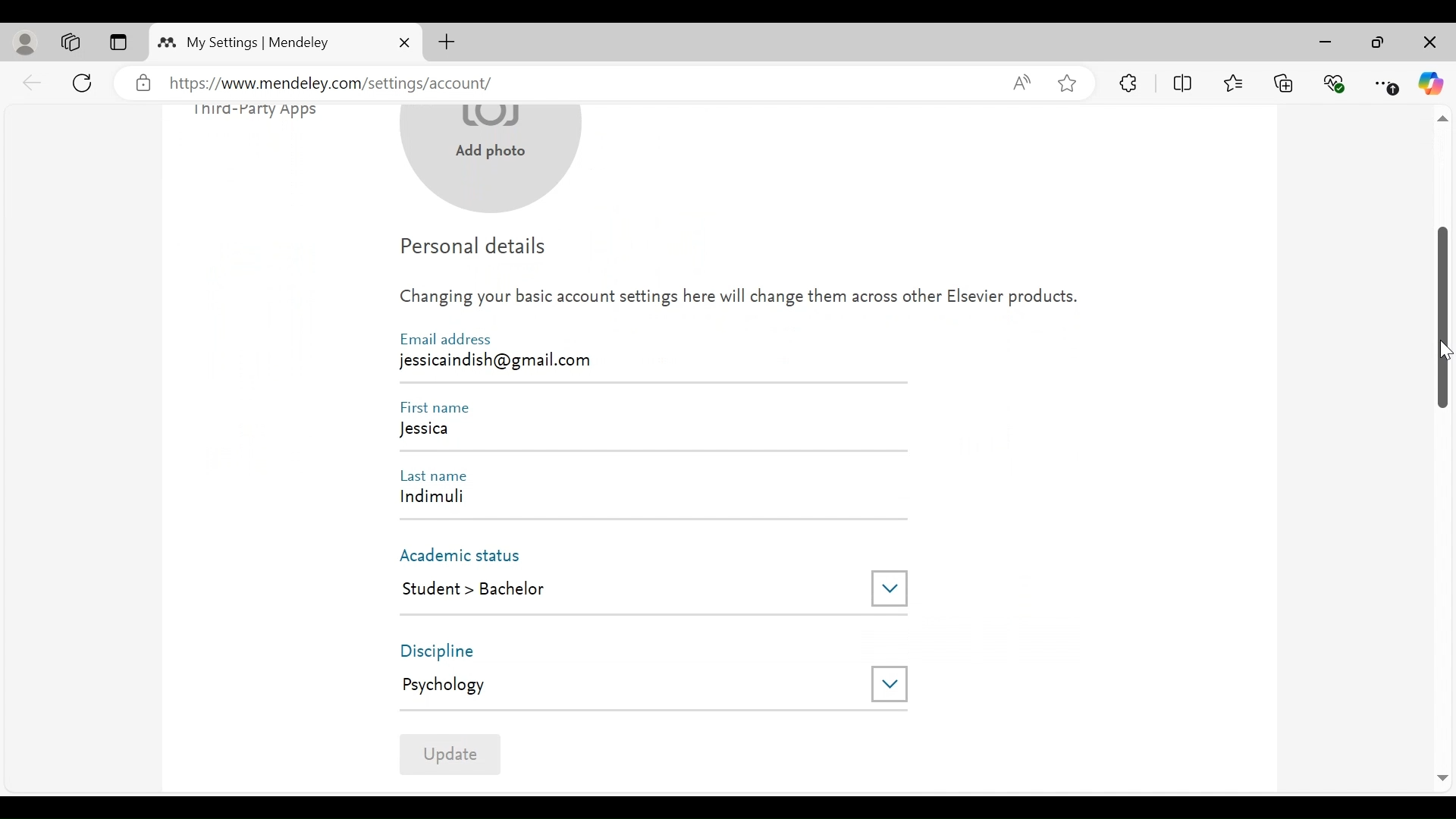 The image size is (1456, 819). Describe the element at coordinates (642, 500) in the screenshot. I see `Indimuli` at that location.